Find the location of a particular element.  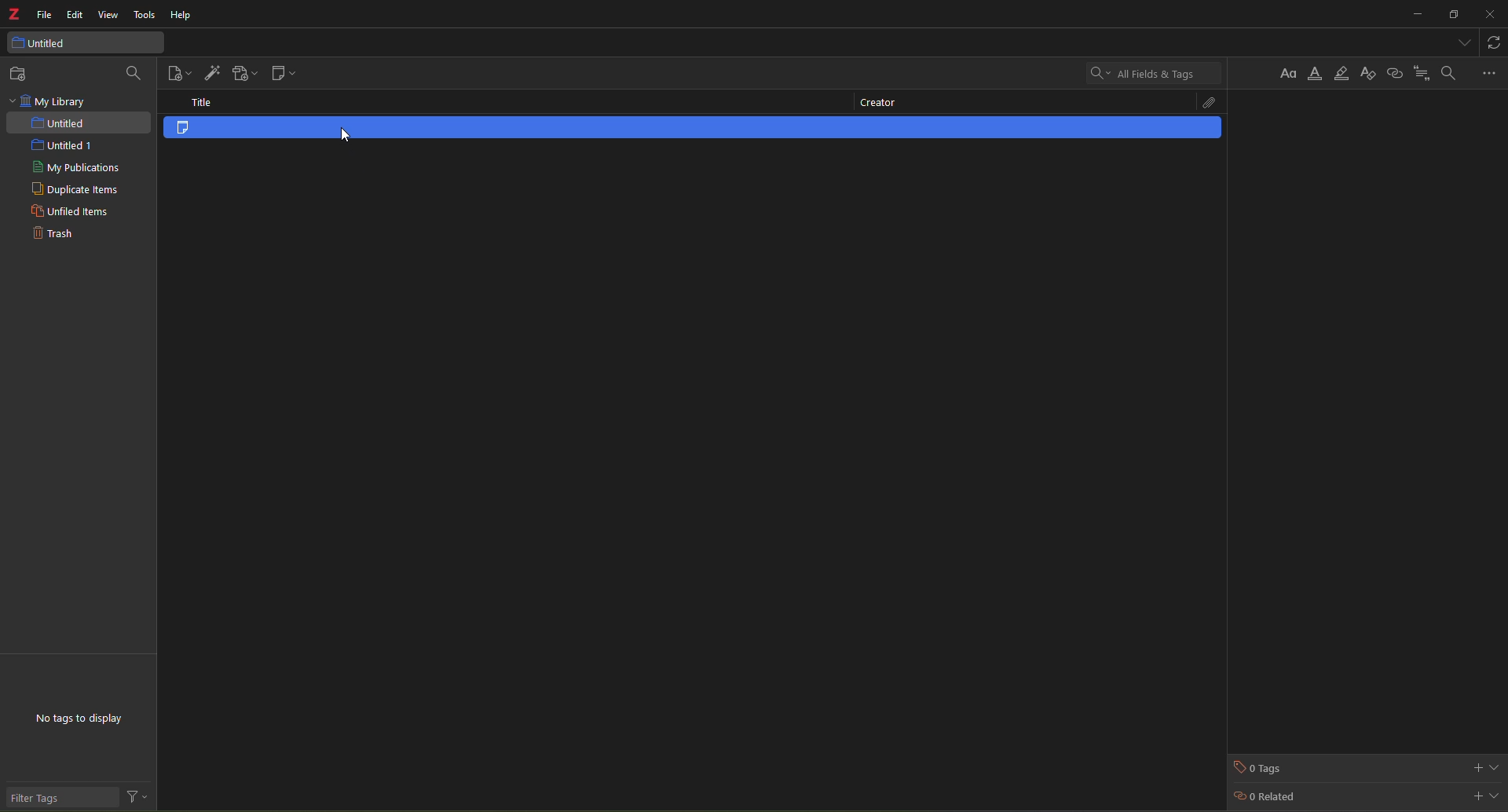

tags is located at coordinates (1262, 767).